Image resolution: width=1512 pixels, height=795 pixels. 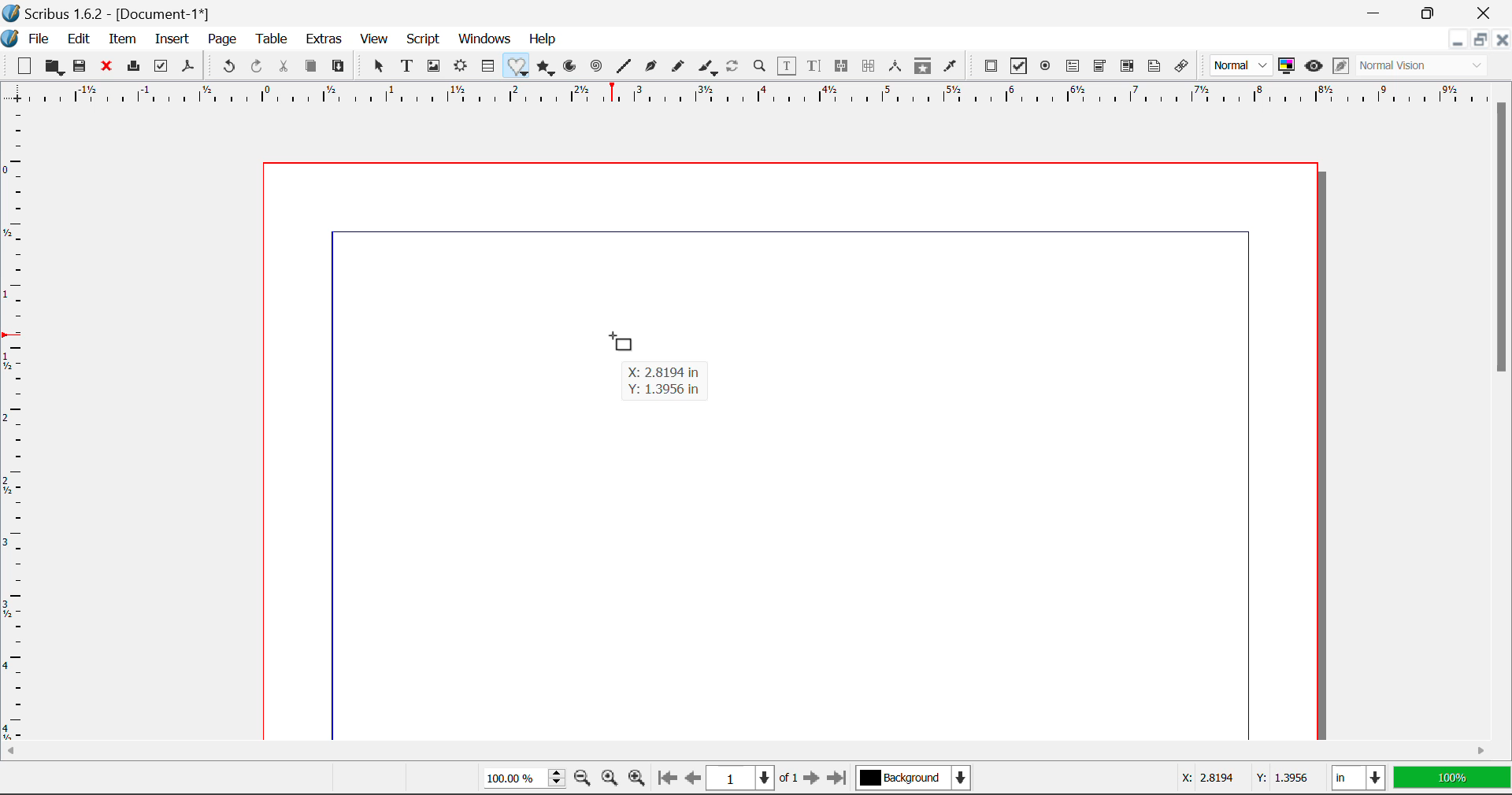 What do you see at coordinates (1482, 42) in the screenshot?
I see `Minimize` at bounding box center [1482, 42].